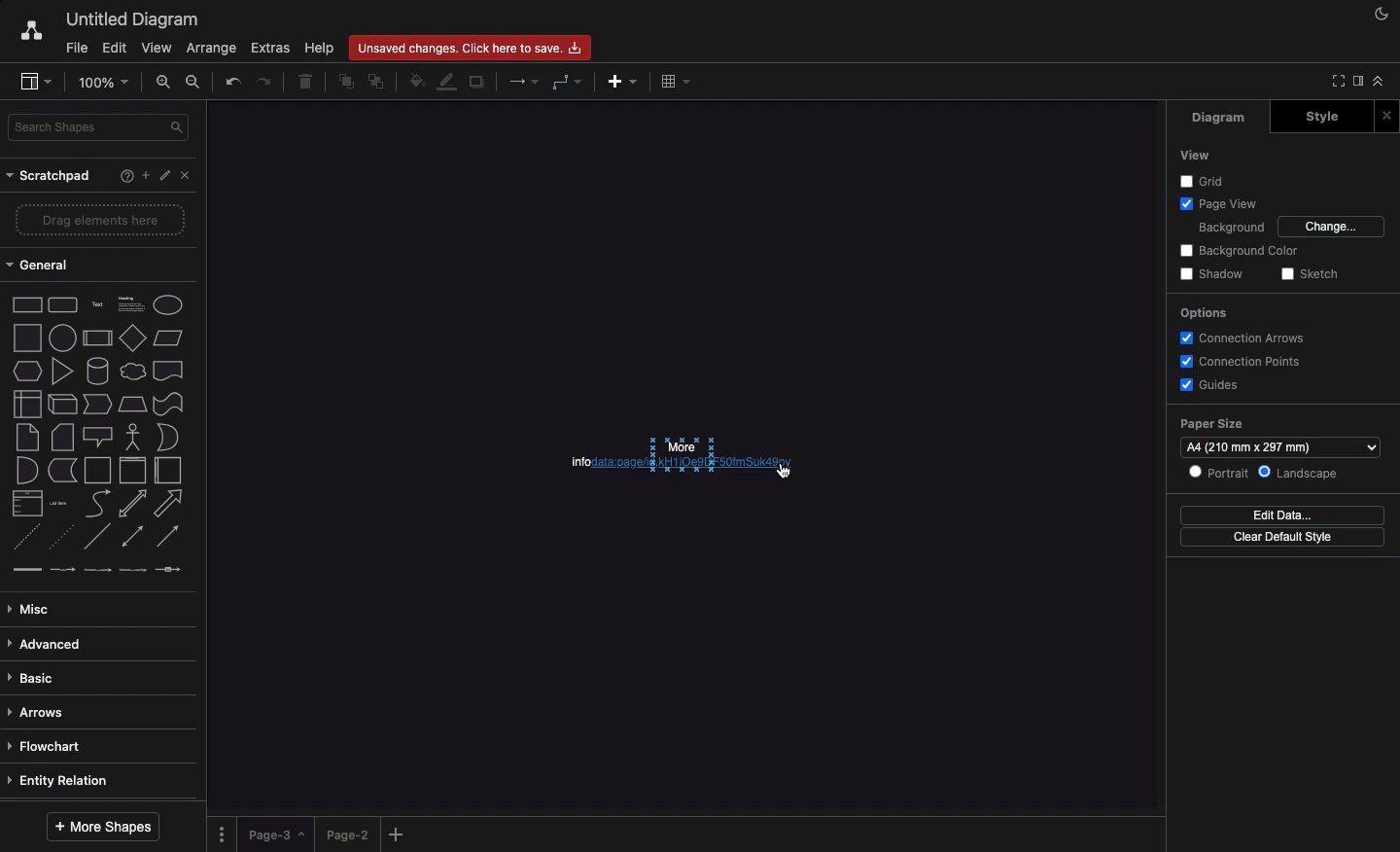 This screenshot has height=852, width=1400. I want to click on Paper size, so click(1216, 422).